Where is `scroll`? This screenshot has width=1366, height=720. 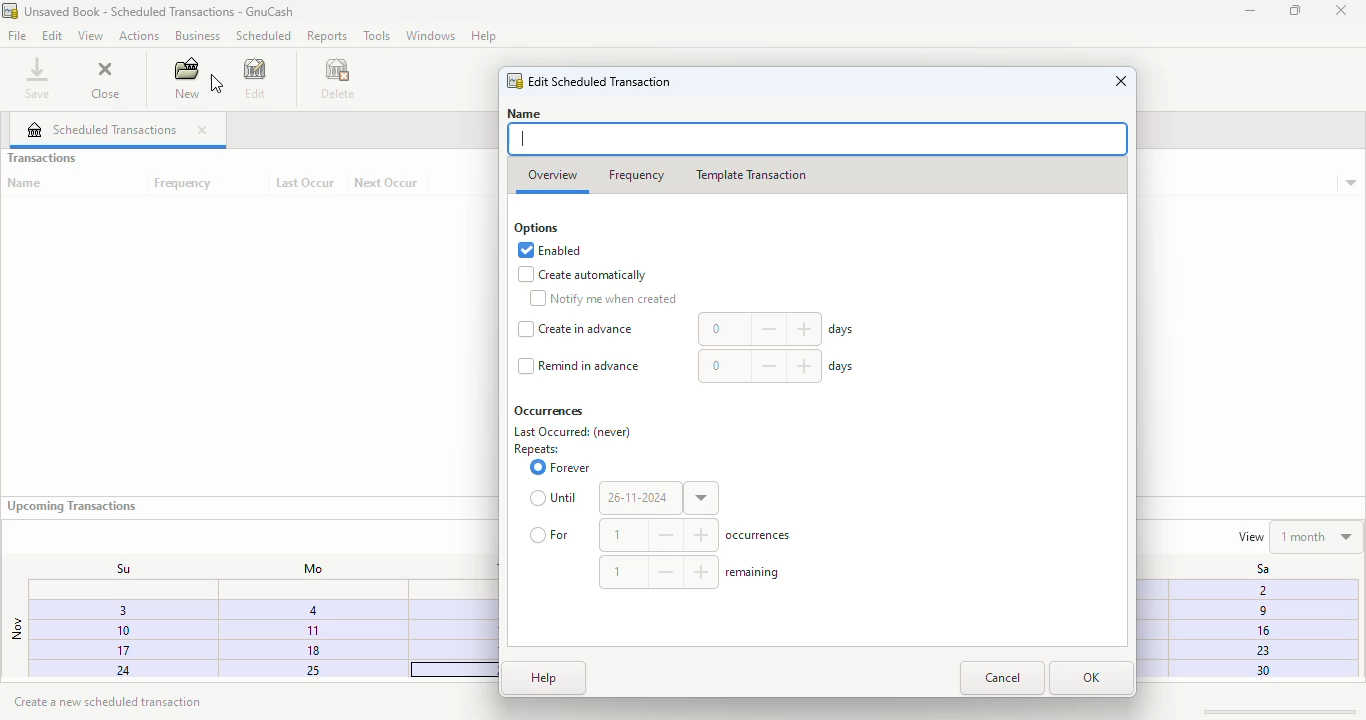
scroll is located at coordinates (1277, 710).